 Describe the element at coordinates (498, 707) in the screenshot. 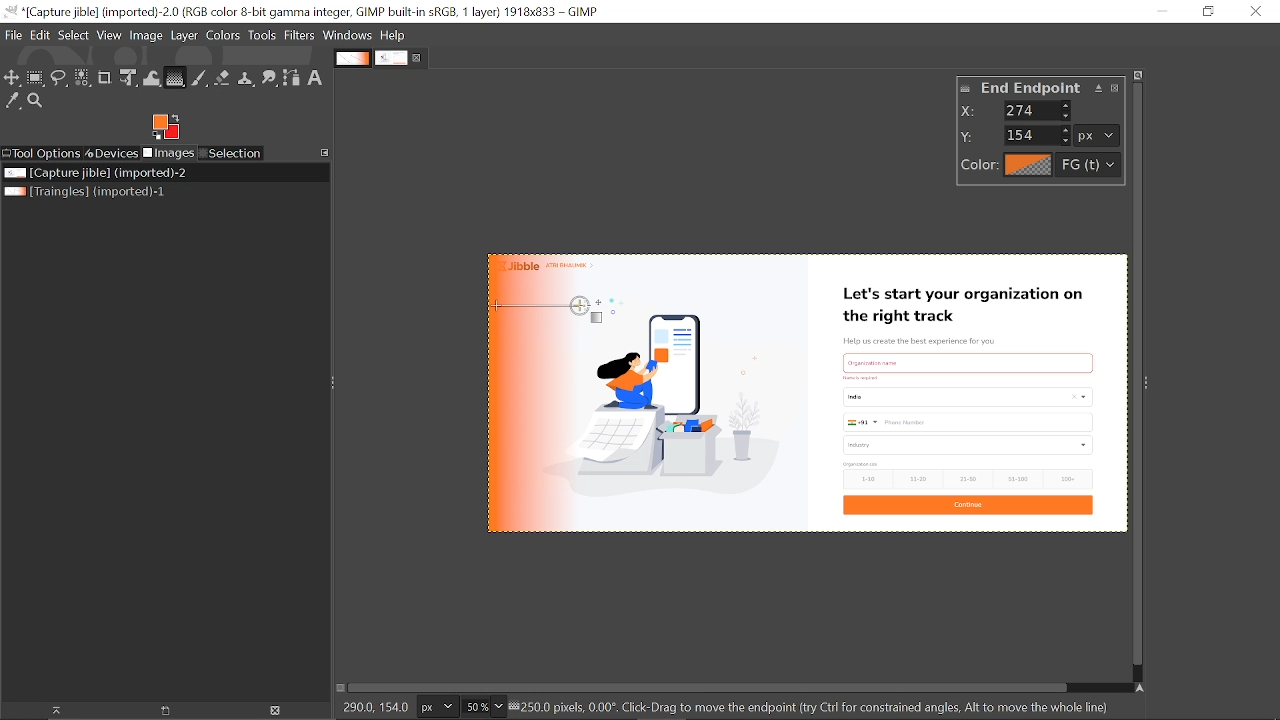

I see `Zoom options` at that location.